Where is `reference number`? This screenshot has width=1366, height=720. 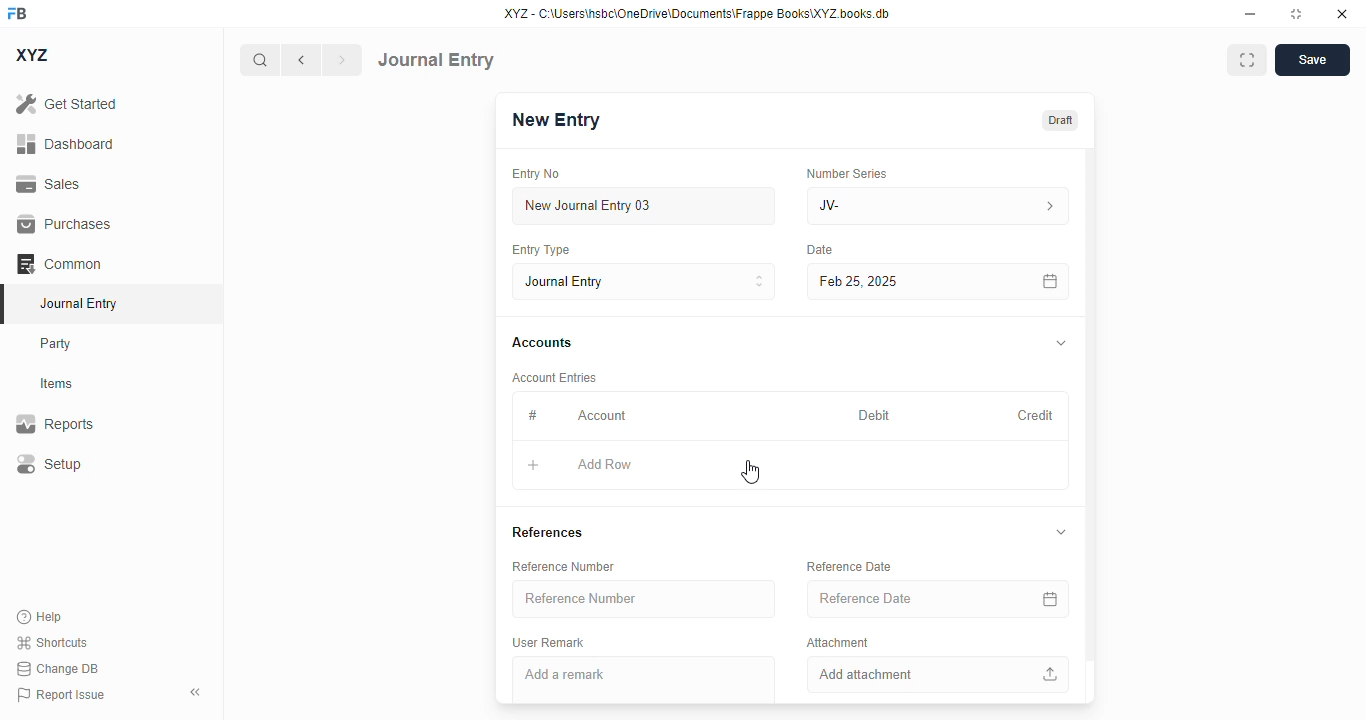
reference number is located at coordinates (563, 566).